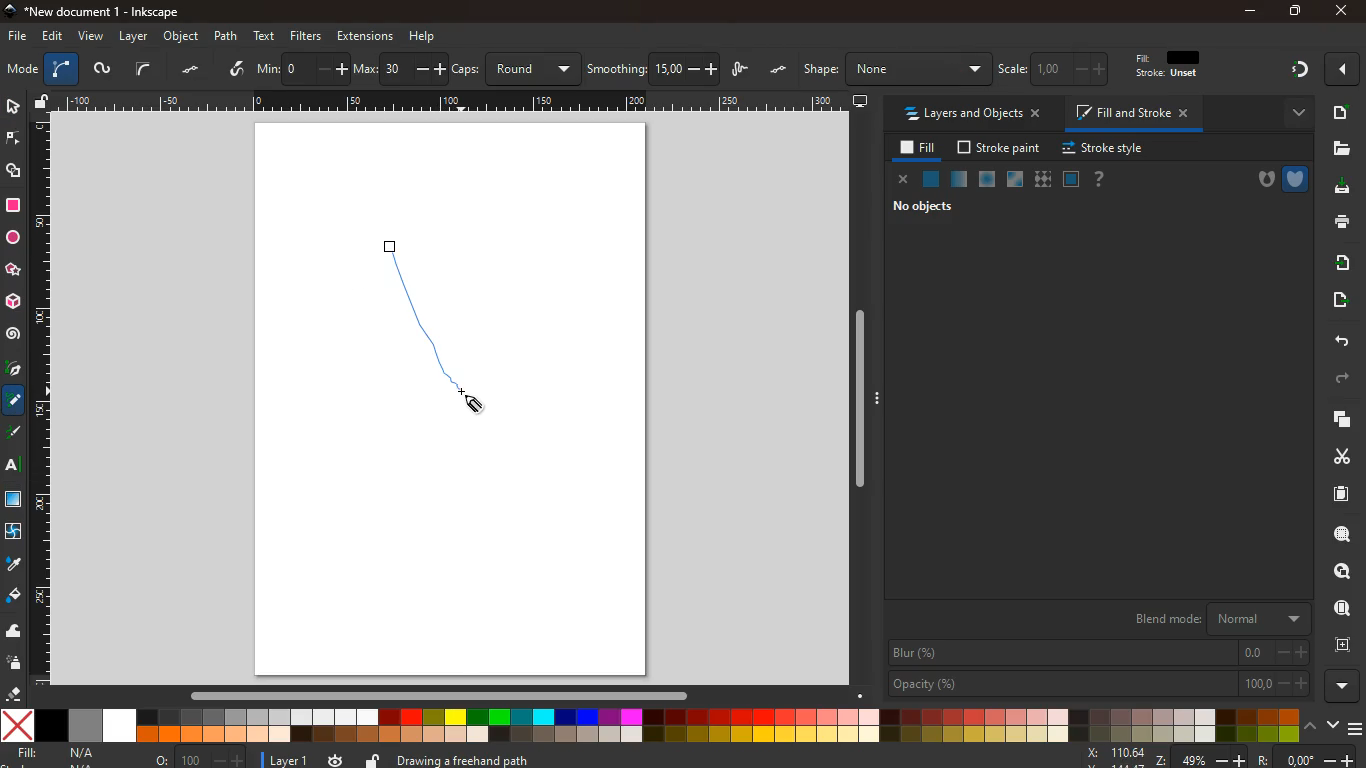 The image size is (1366, 768). Describe the element at coordinates (919, 149) in the screenshot. I see `fill` at that location.